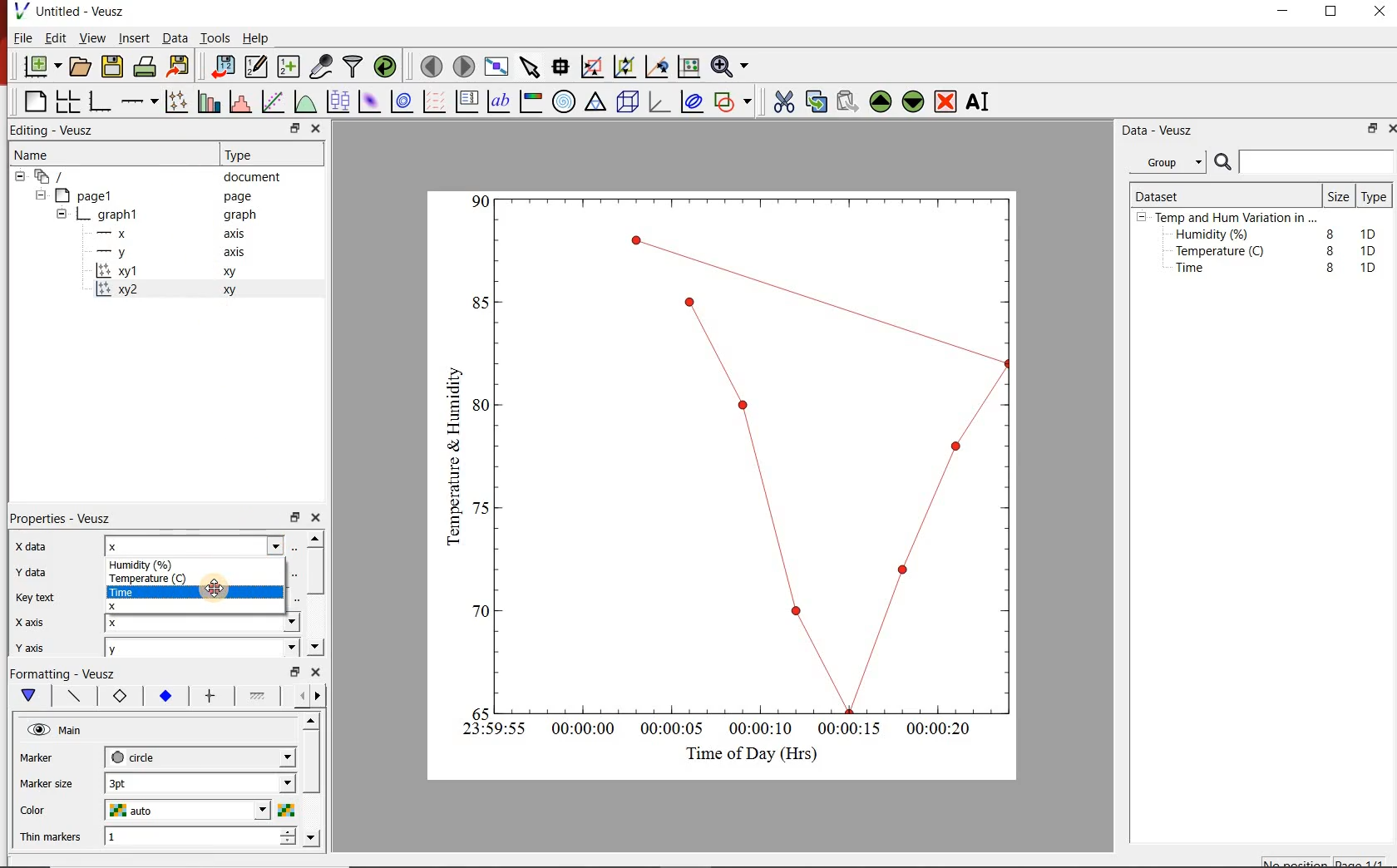 The height and width of the screenshot is (868, 1397). I want to click on Rename the selected widget, so click(981, 101).